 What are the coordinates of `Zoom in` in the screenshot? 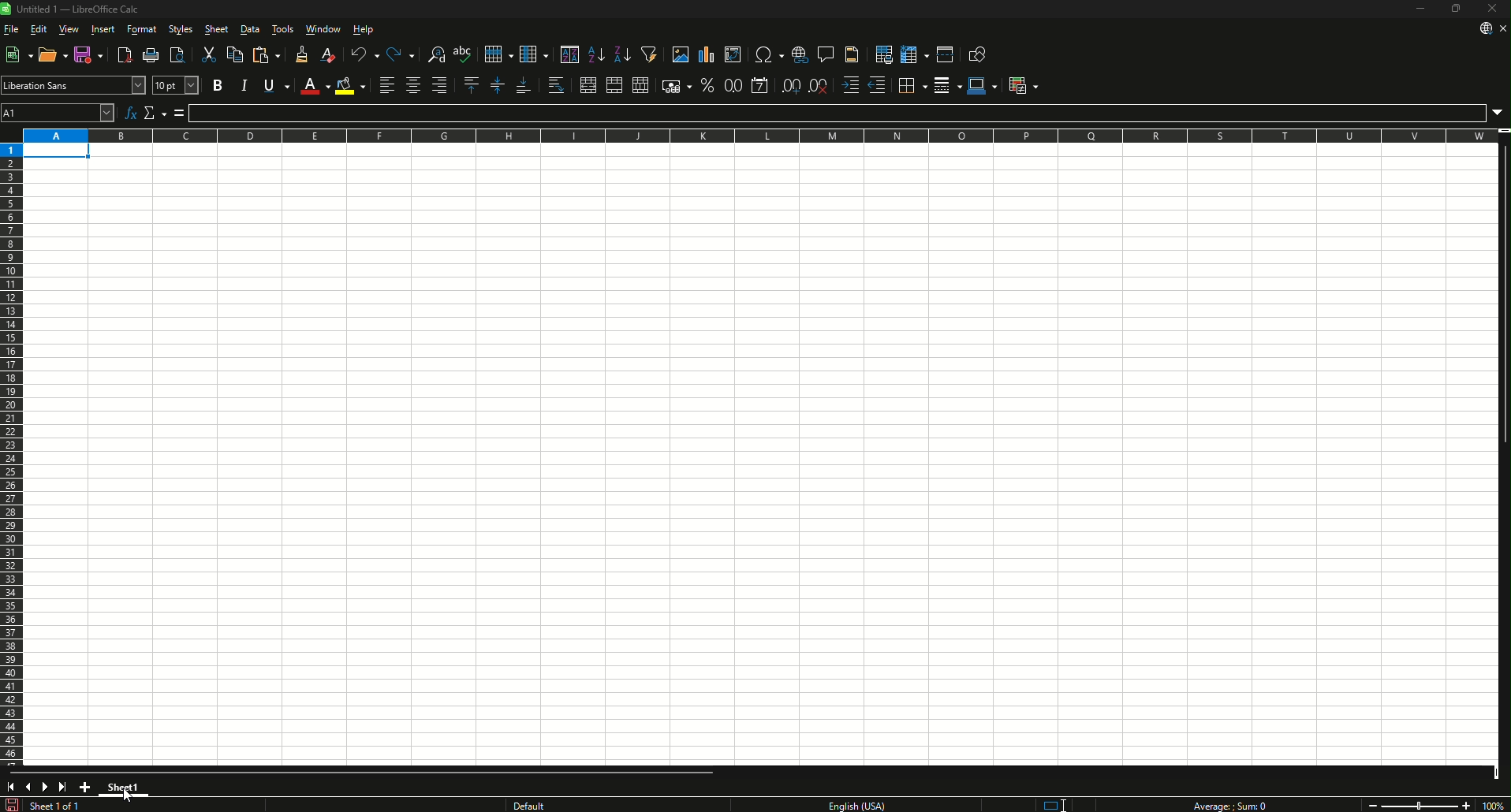 It's located at (1467, 806).